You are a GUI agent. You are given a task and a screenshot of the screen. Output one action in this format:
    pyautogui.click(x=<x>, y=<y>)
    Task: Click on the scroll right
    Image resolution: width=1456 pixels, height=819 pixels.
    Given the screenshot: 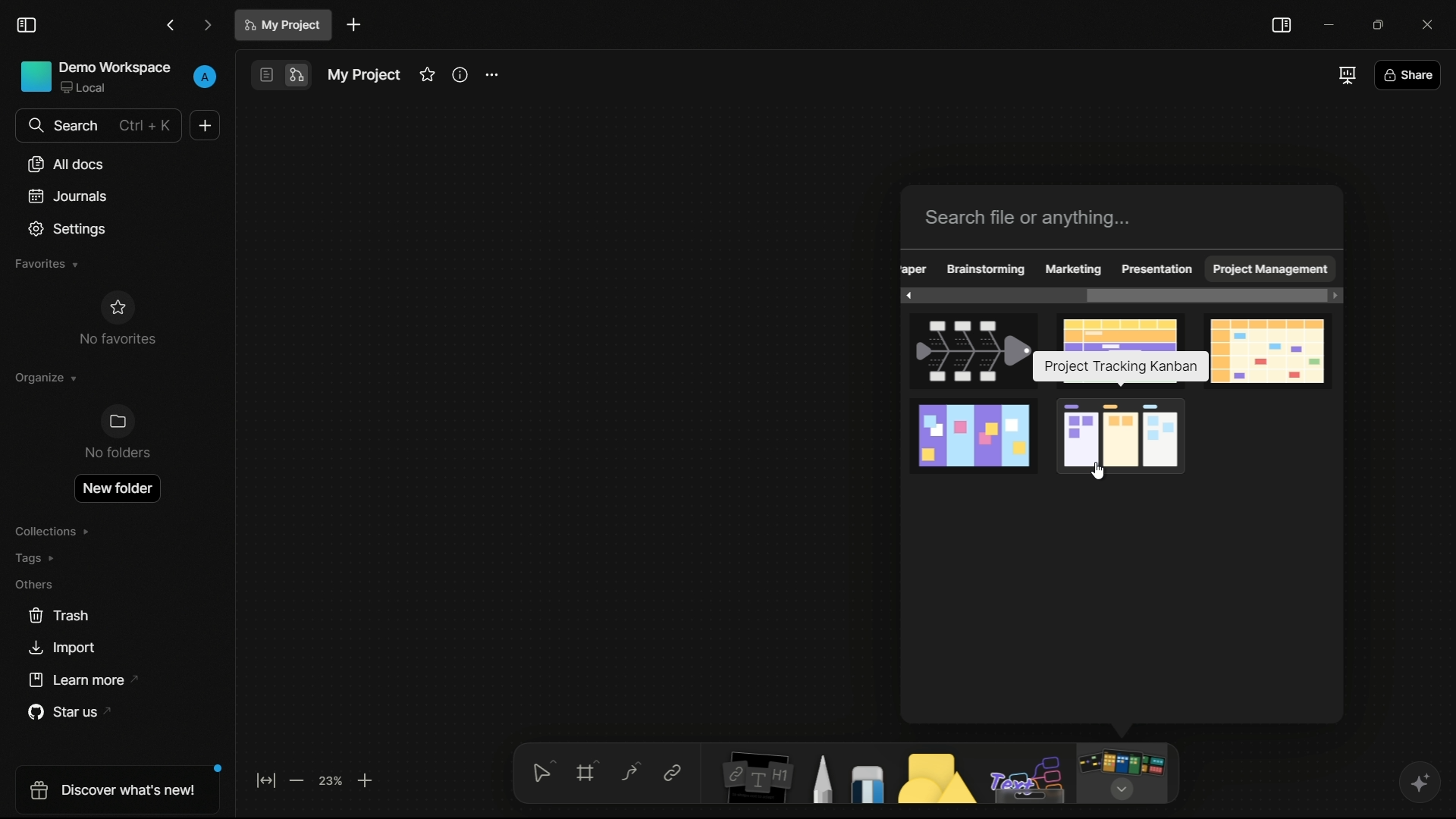 What is the action you would take?
    pyautogui.click(x=1332, y=295)
    